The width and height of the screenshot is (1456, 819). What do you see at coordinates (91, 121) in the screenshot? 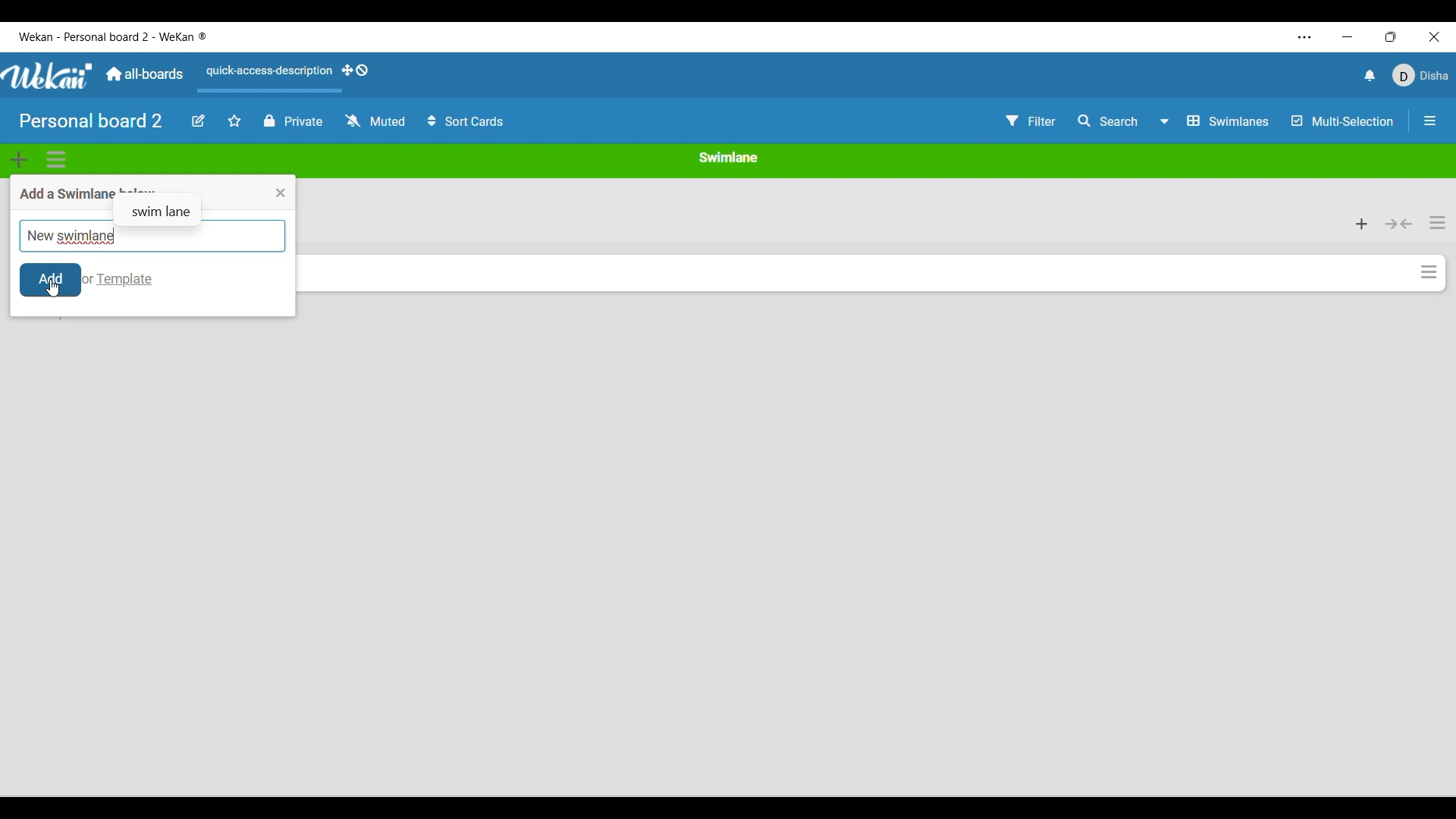
I see `Board name` at bounding box center [91, 121].